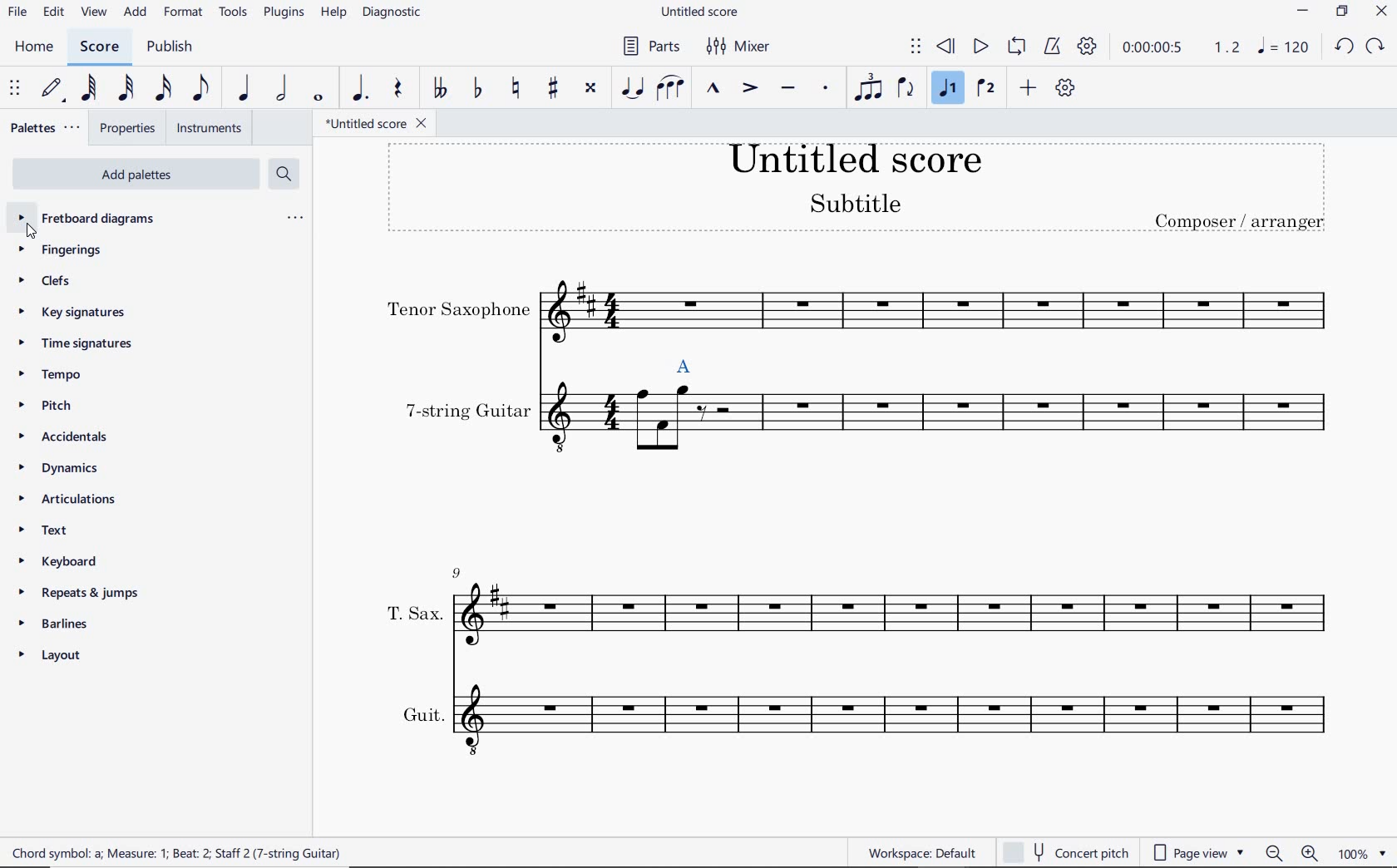 This screenshot has height=868, width=1397. Describe the element at coordinates (54, 530) in the screenshot. I see `TEXT` at that location.